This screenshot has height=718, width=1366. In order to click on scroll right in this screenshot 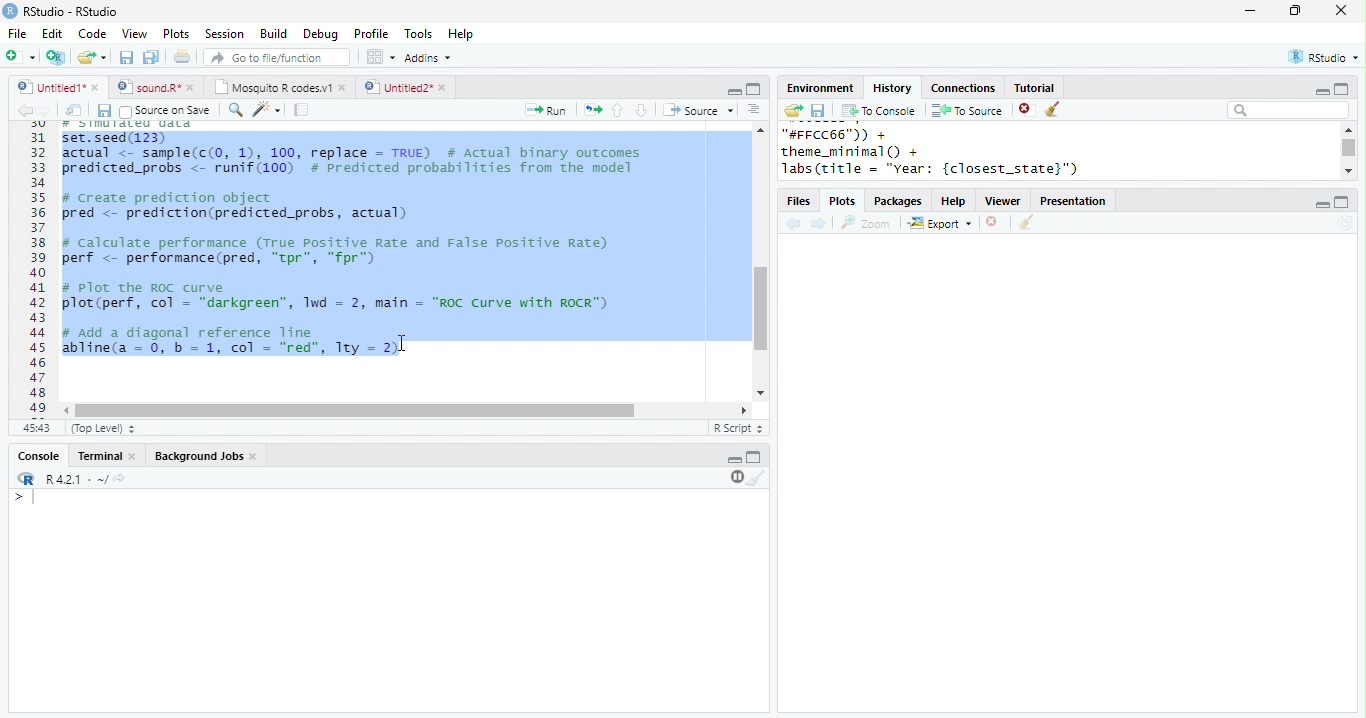, I will do `click(740, 410)`.